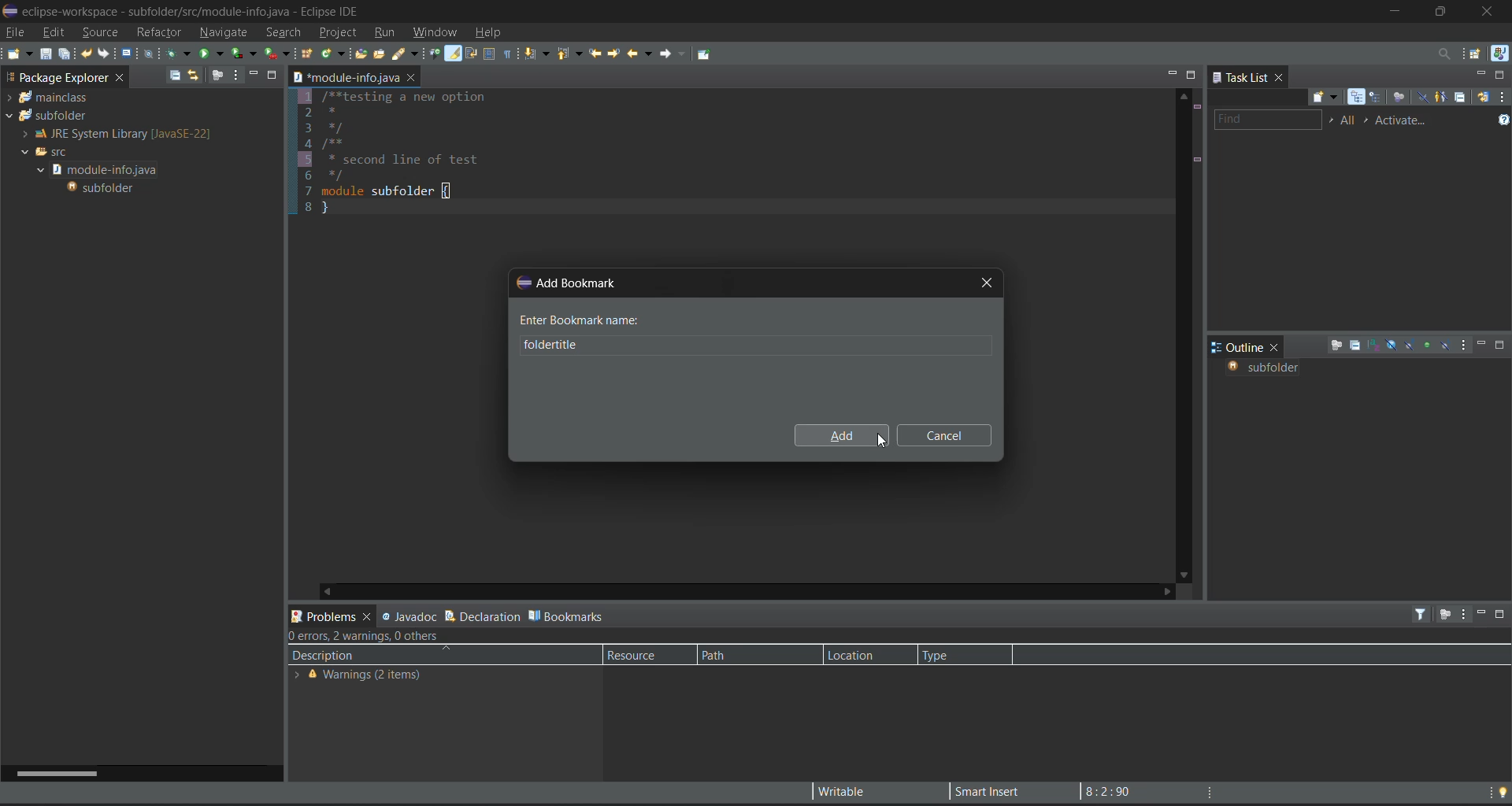 Image resolution: width=1512 pixels, height=806 pixels. What do you see at coordinates (839, 438) in the screenshot?
I see `add` at bounding box center [839, 438].